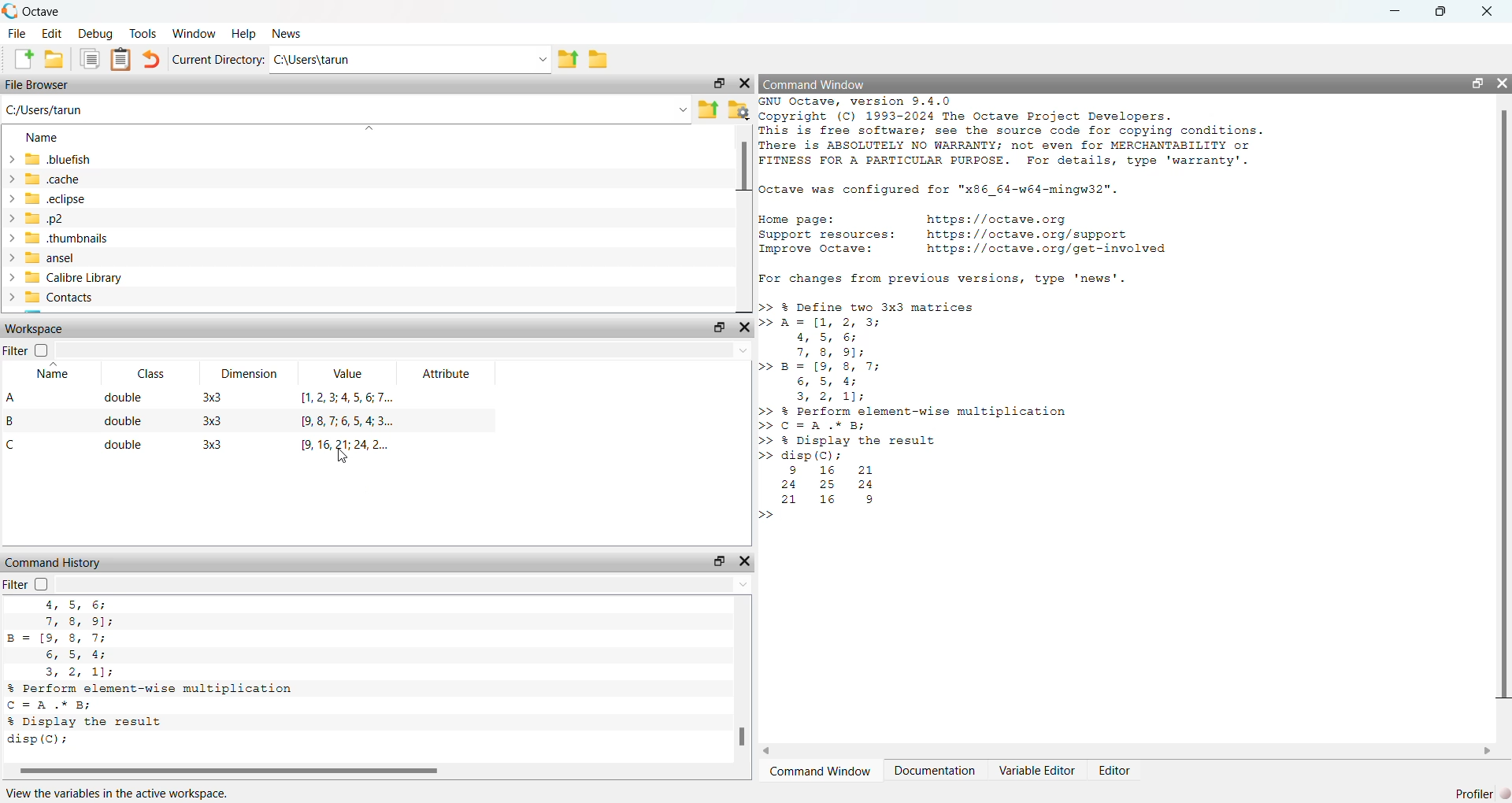 The width and height of the screenshot is (1512, 803). What do you see at coordinates (403, 350) in the screenshot?
I see `Dropdown` at bounding box center [403, 350].